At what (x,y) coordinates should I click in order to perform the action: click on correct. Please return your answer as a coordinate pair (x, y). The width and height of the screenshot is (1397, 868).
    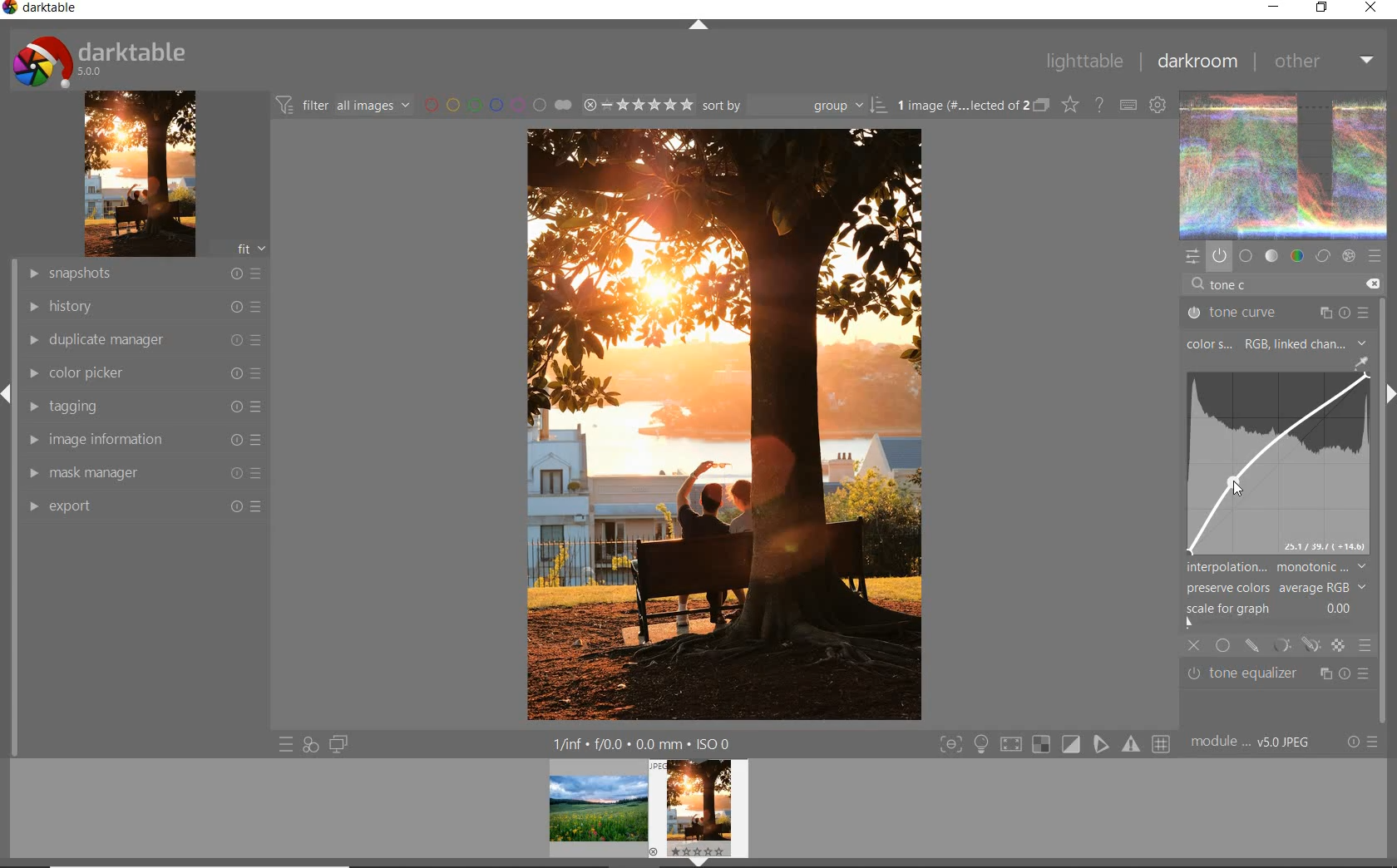
    Looking at the image, I should click on (1322, 256).